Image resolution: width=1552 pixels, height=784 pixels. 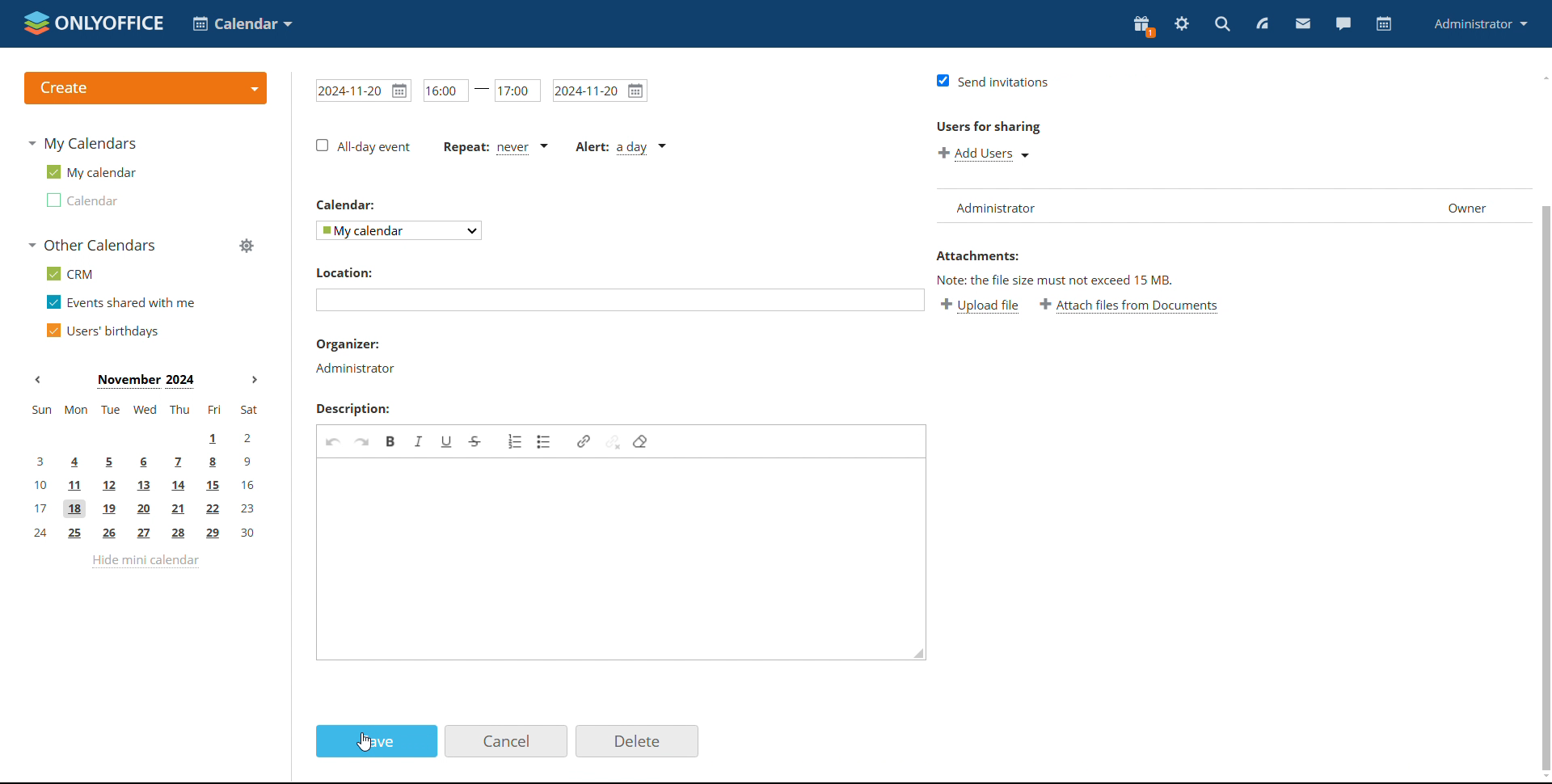 I want to click on add users, so click(x=984, y=154).